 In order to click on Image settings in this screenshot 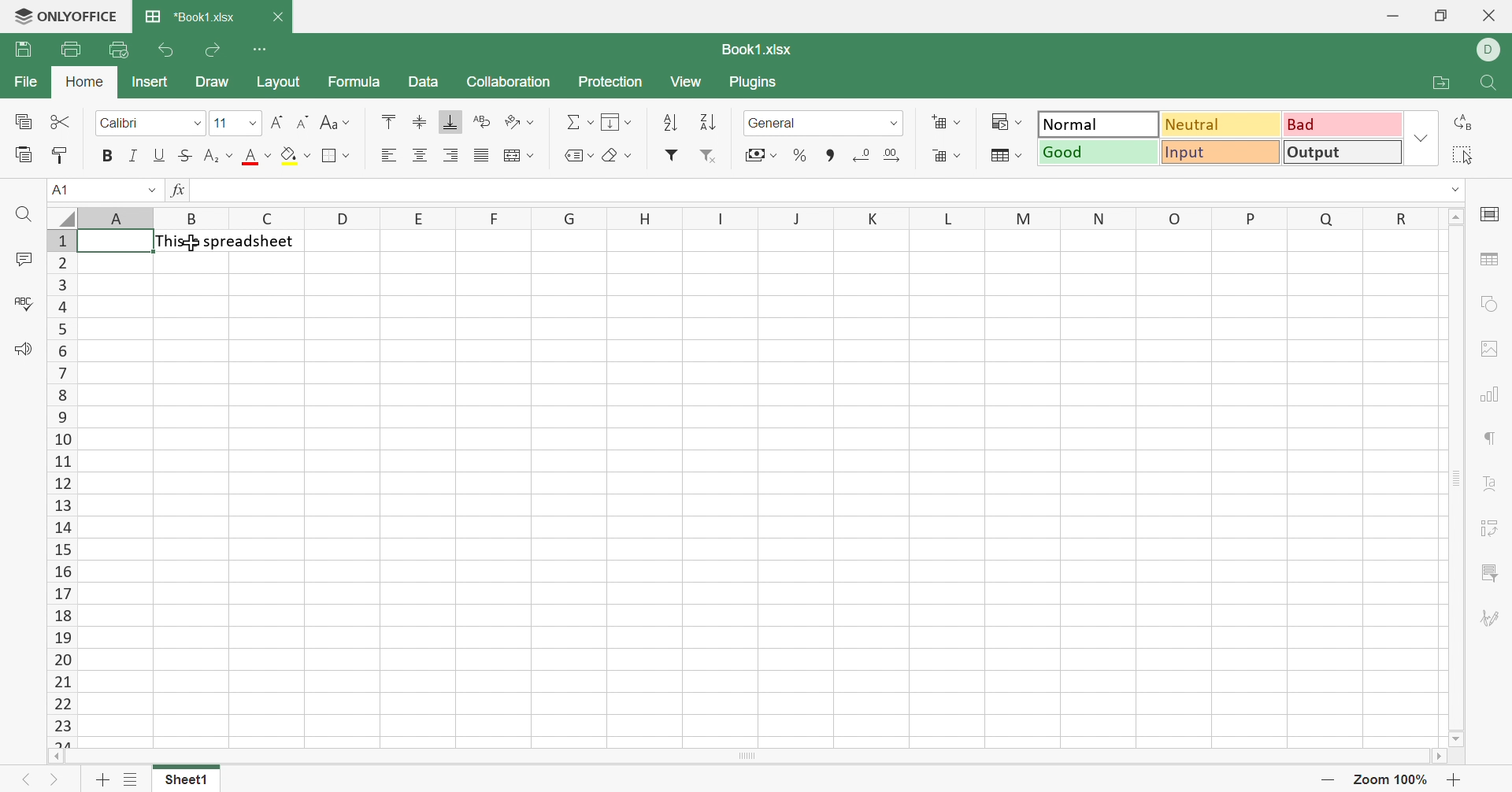, I will do `click(1492, 348)`.